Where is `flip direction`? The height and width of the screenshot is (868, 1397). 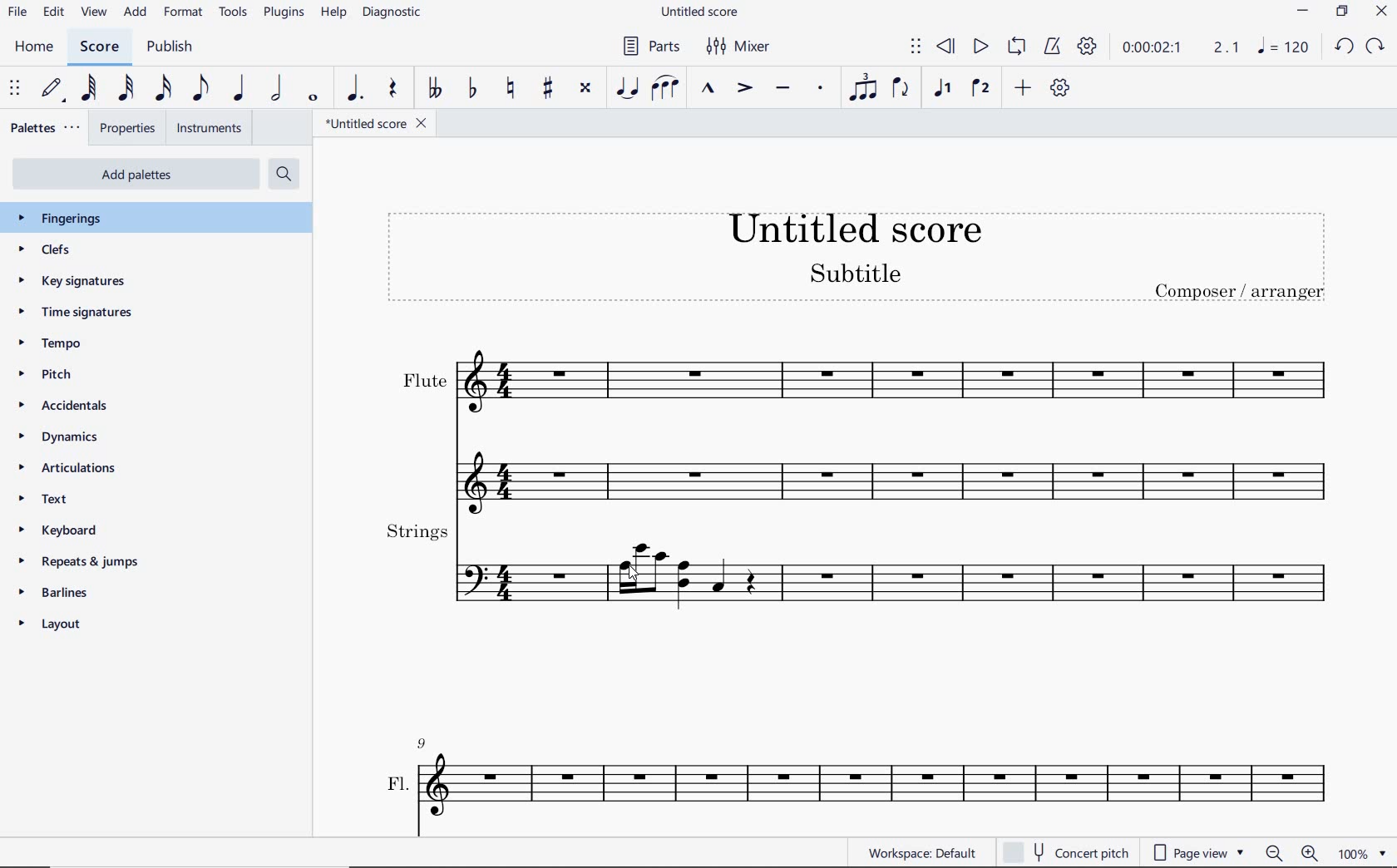
flip direction is located at coordinates (902, 89).